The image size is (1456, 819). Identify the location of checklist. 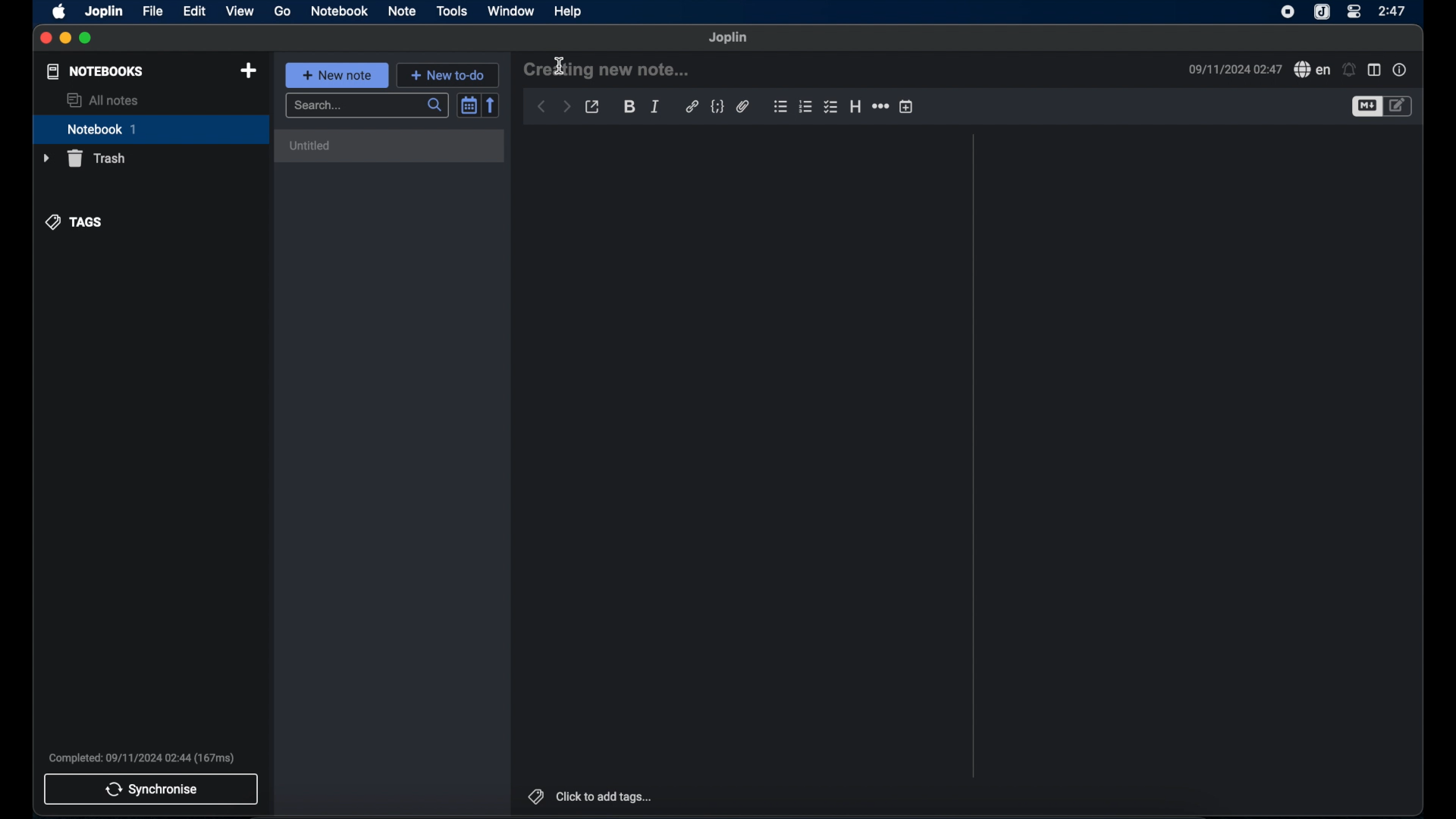
(830, 108).